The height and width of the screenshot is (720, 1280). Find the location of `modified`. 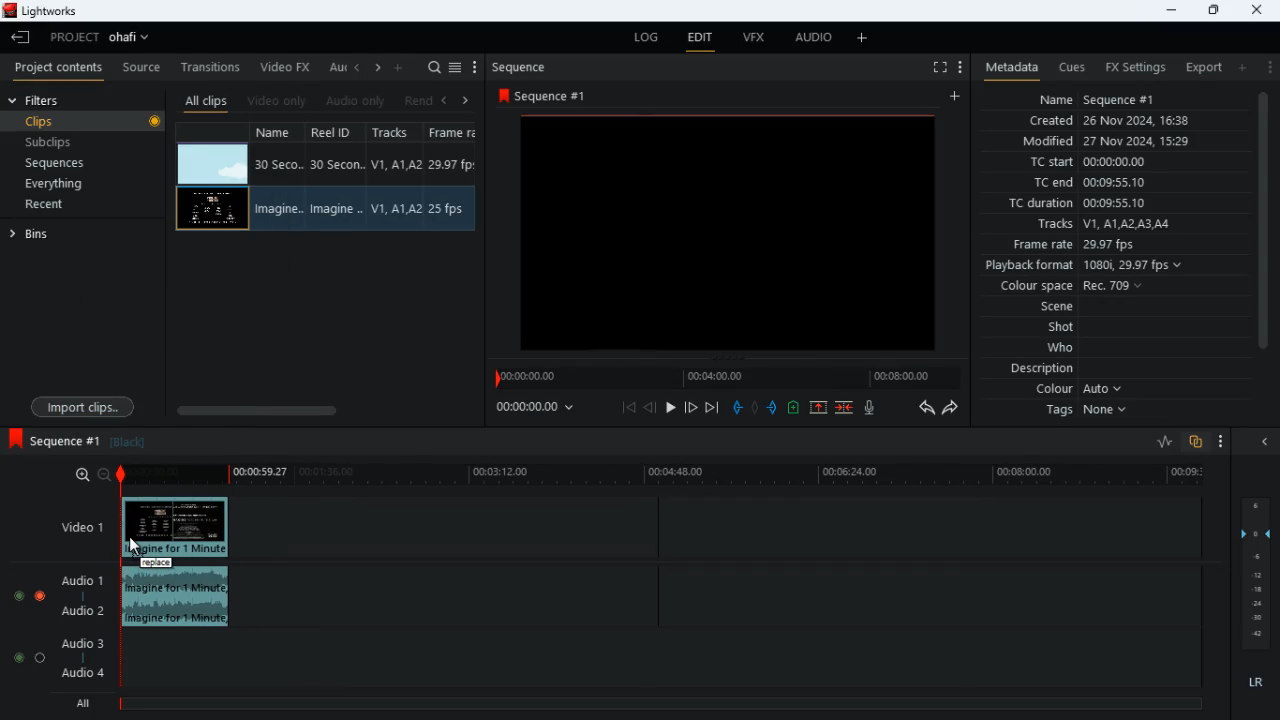

modified is located at coordinates (1119, 143).